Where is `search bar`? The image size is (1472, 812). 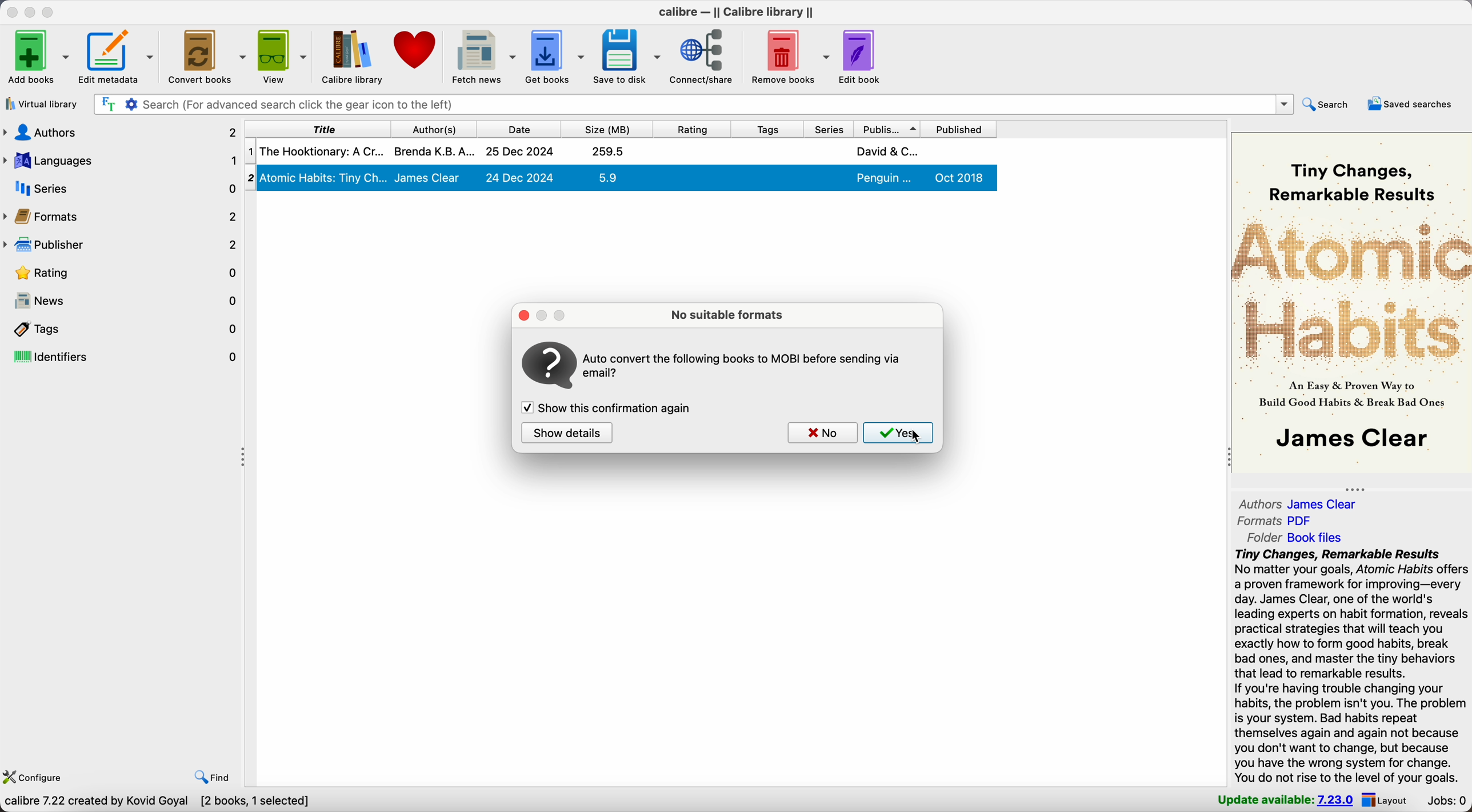
search bar is located at coordinates (692, 104).